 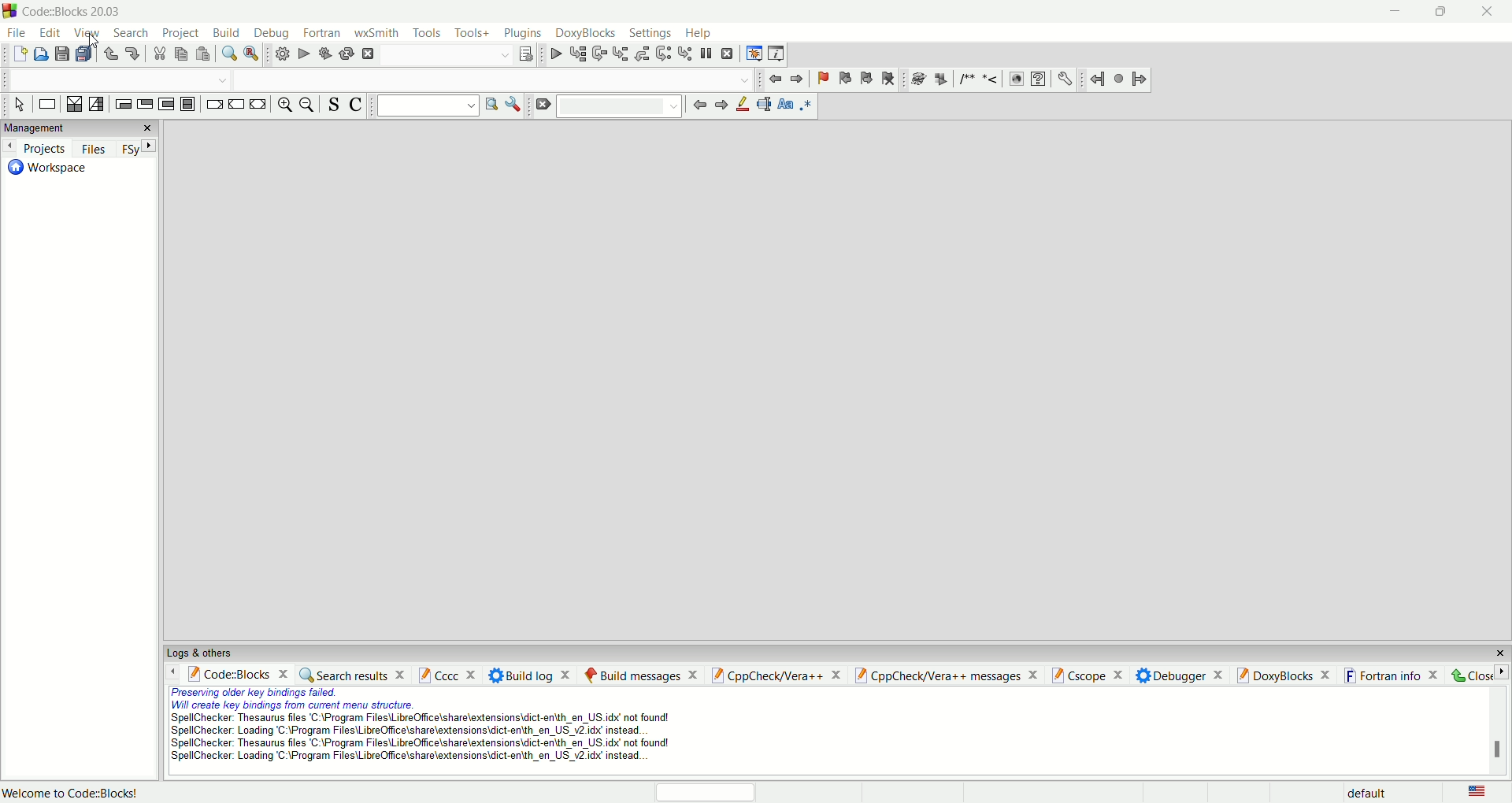 I want to click on step out, so click(x=643, y=54).